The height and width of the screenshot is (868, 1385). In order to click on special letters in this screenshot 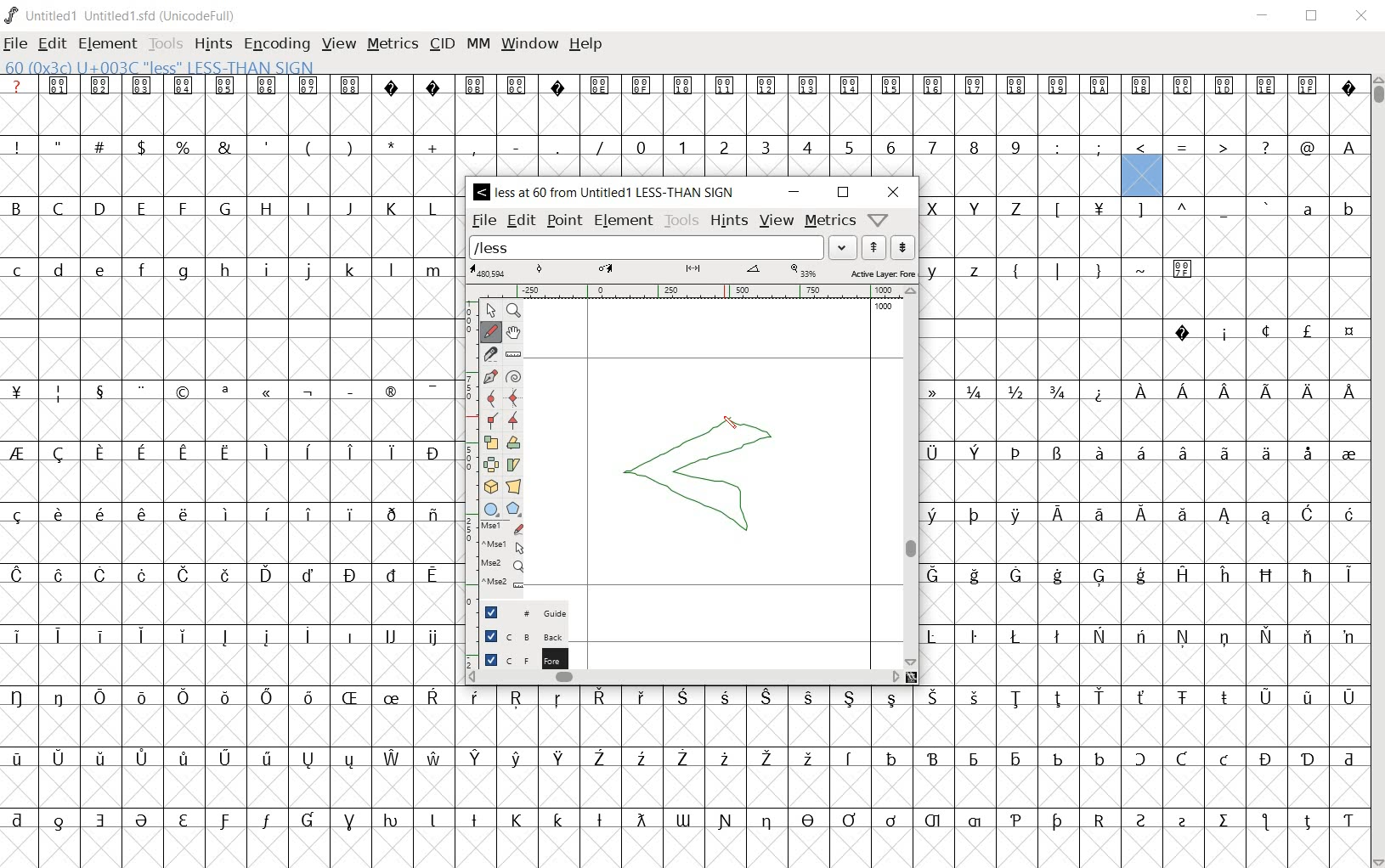, I will do `click(226, 637)`.